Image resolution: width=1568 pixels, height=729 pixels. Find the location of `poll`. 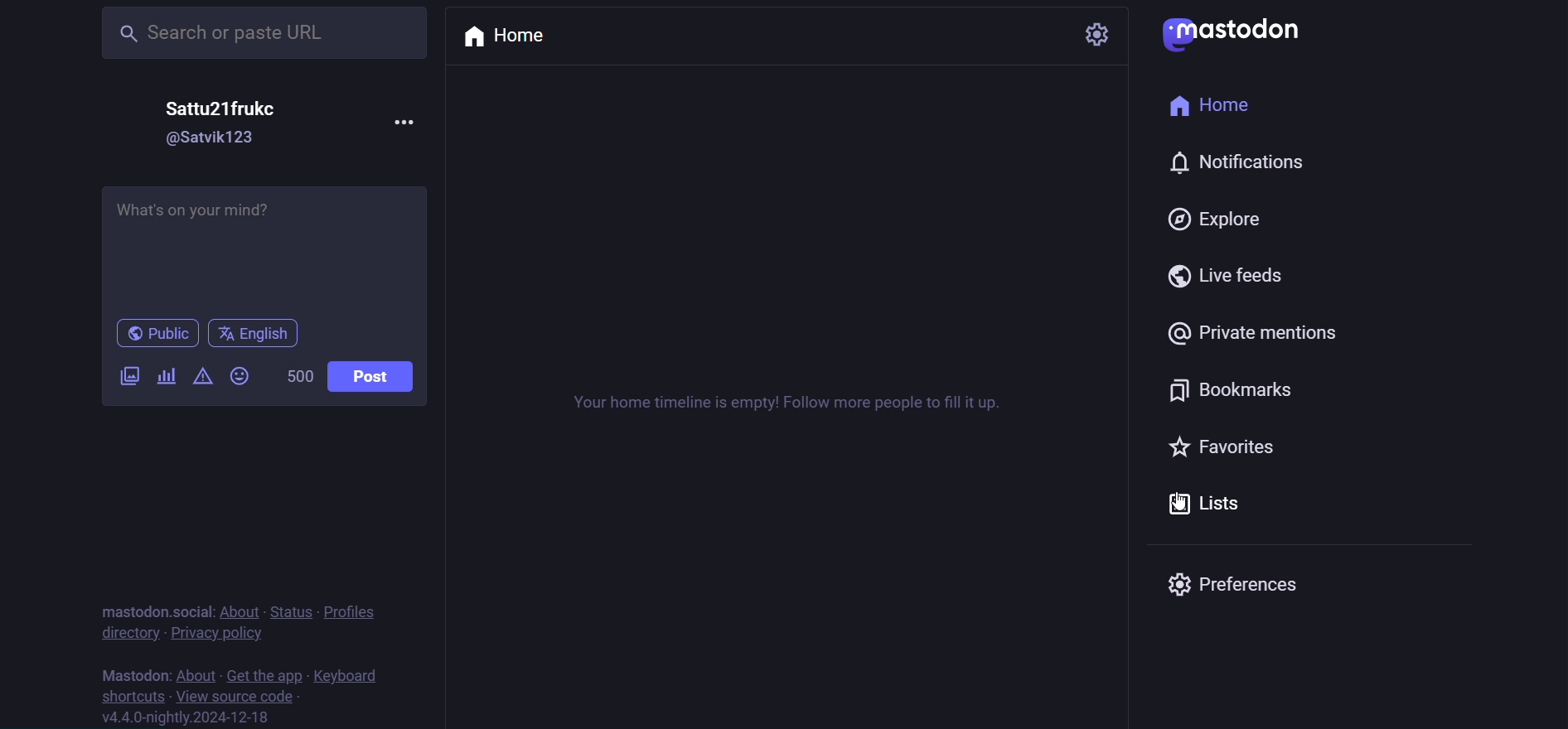

poll is located at coordinates (167, 375).